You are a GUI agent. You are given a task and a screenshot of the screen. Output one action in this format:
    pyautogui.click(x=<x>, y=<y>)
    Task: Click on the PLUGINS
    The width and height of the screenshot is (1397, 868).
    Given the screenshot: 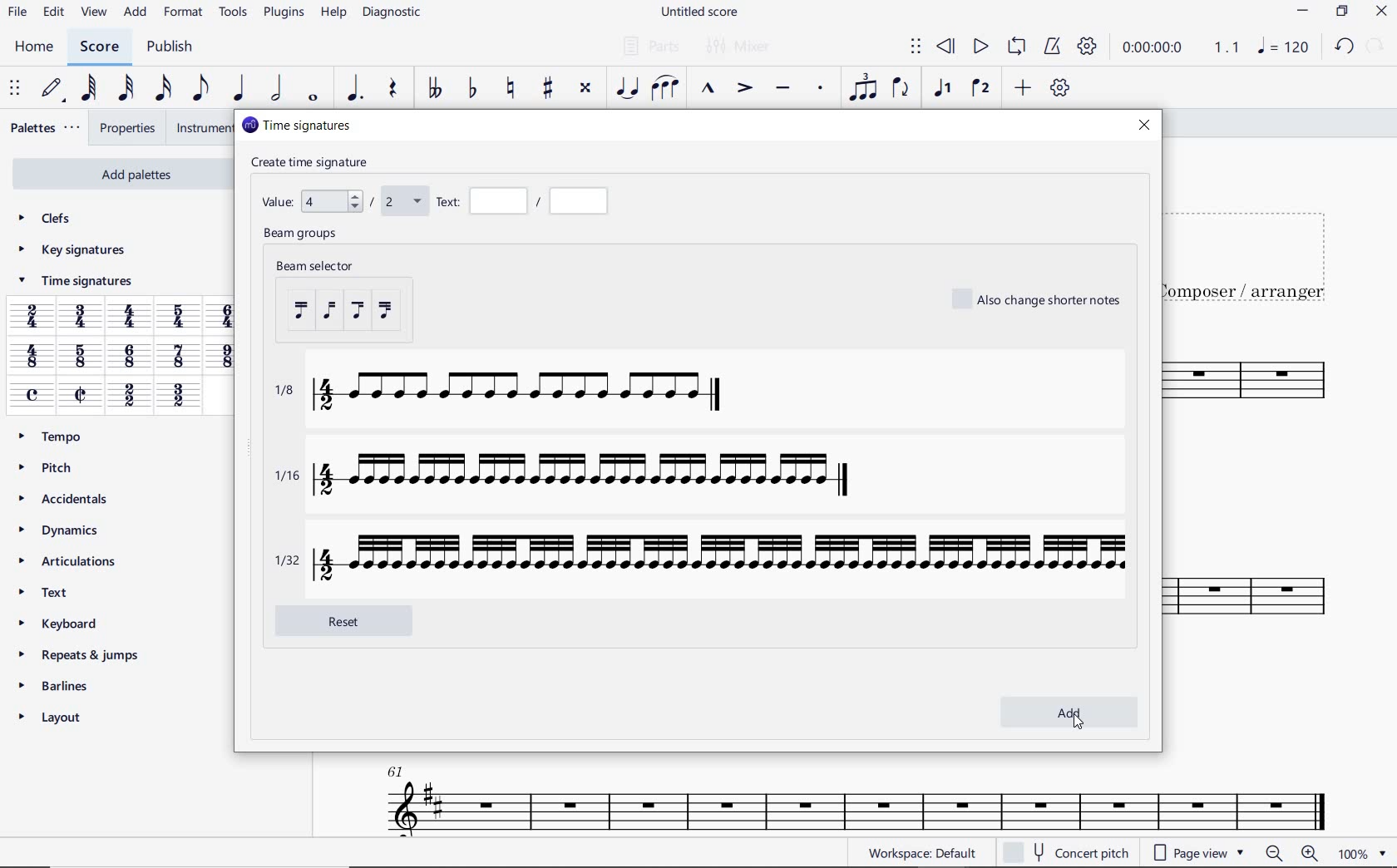 What is the action you would take?
    pyautogui.click(x=281, y=14)
    